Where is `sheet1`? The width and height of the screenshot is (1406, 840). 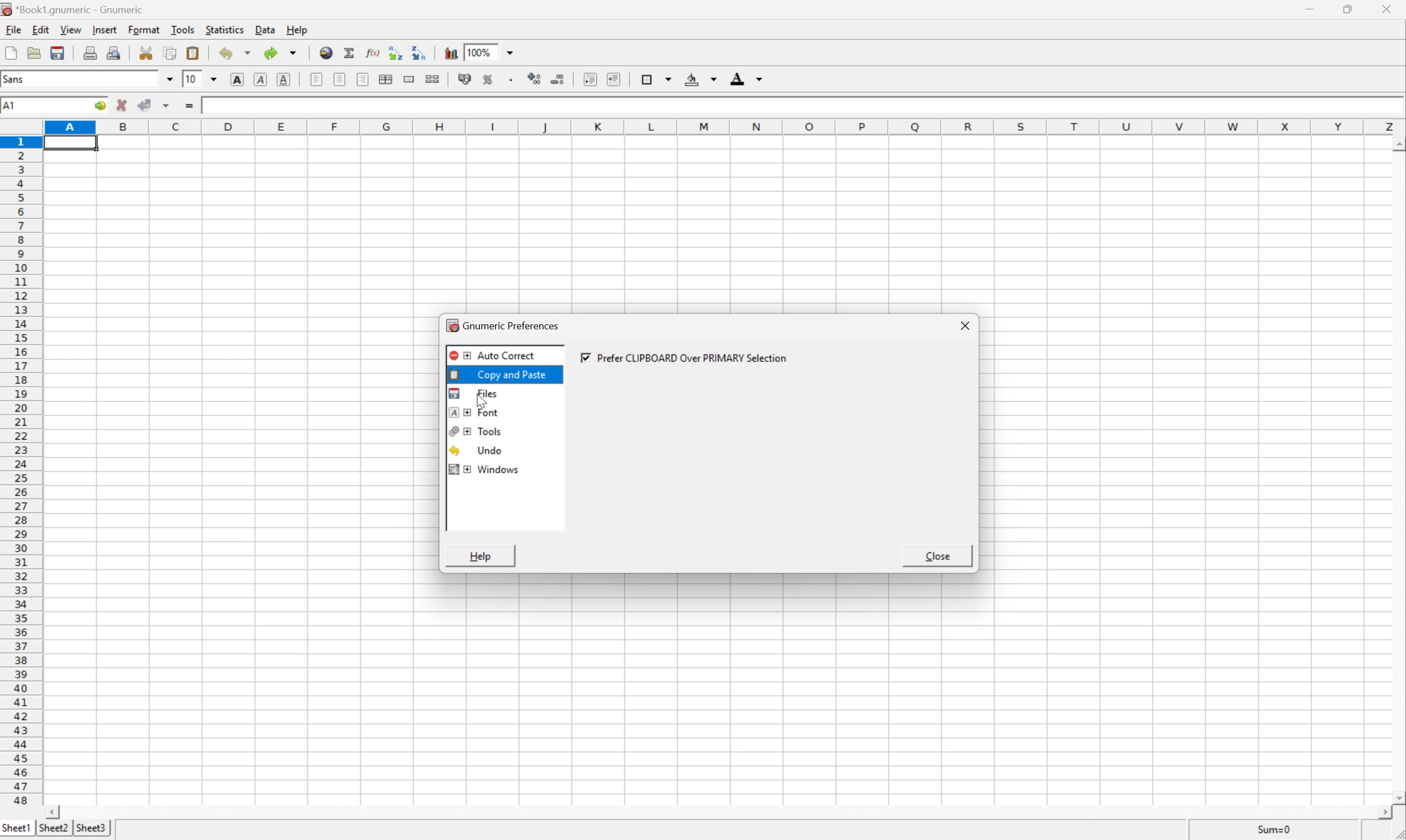 sheet1 is located at coordinates (16, 830).